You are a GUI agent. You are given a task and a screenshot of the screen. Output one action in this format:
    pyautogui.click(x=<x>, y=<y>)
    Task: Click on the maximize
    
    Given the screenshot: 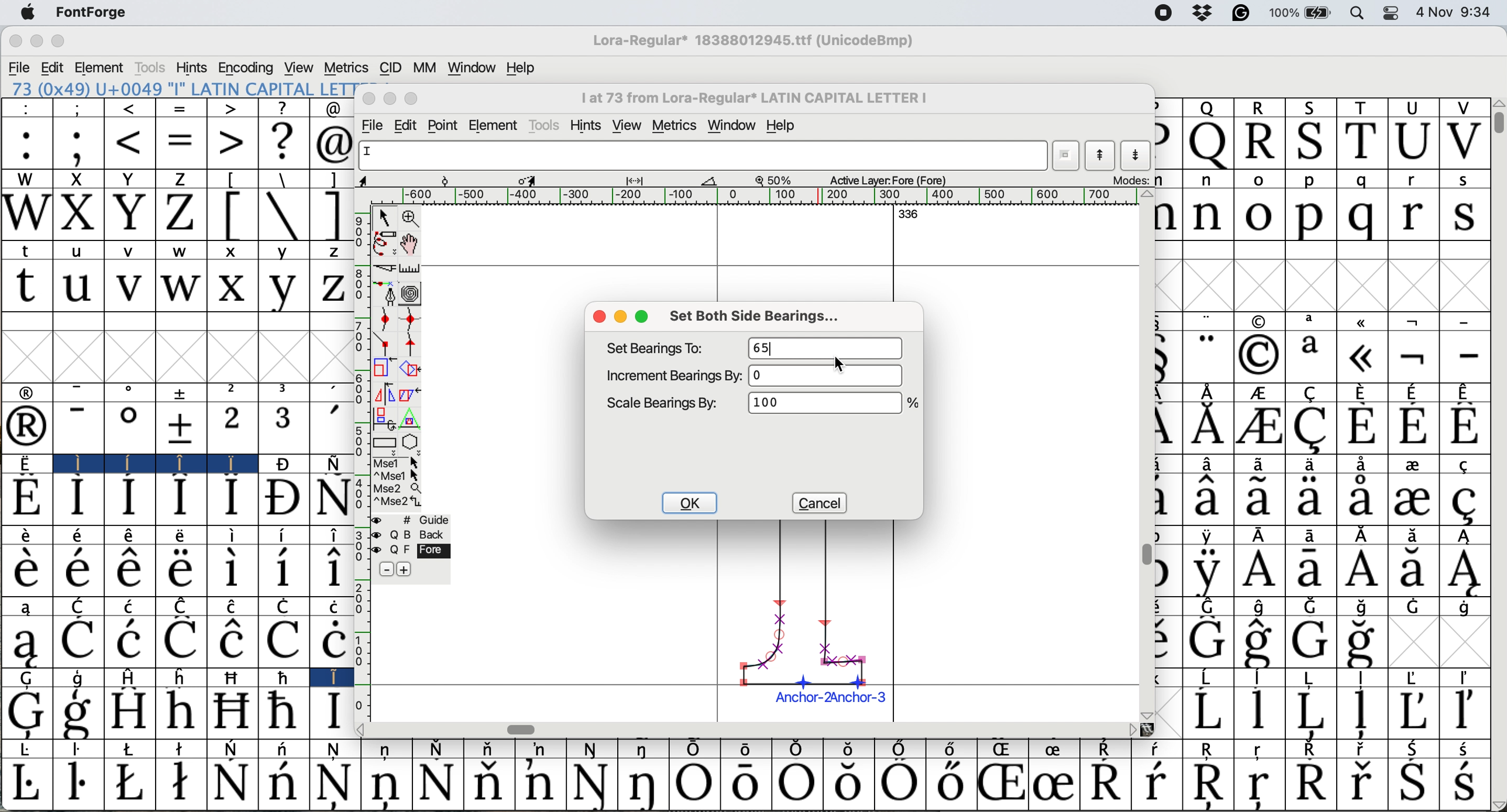 What is the action you would take?
    pyautogui.click(x=59, y=41)
    